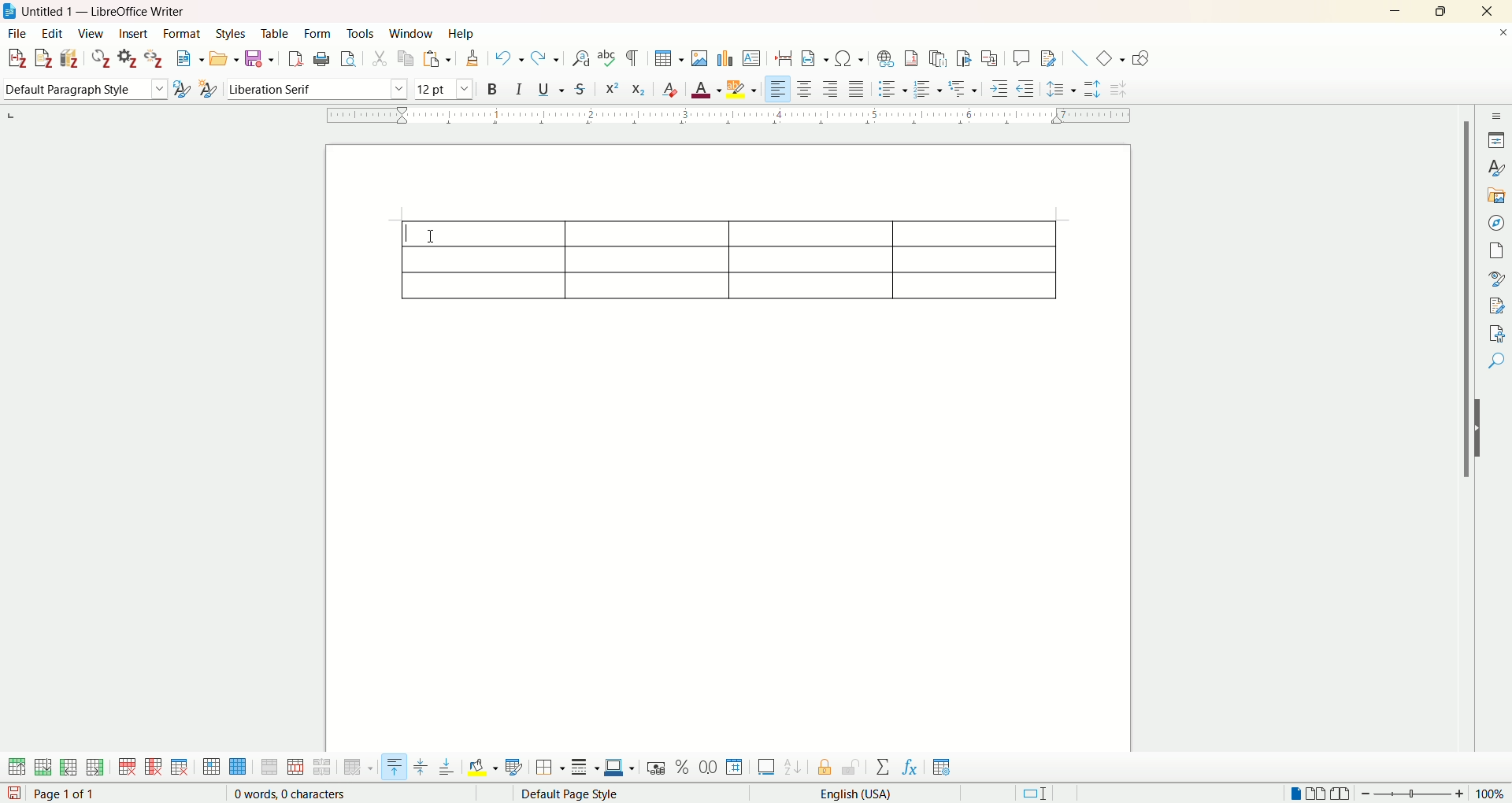  What do you see at coordinates (1142, 60) in the screenshot?
I see `draw function` at bounding box center [1142, 60].